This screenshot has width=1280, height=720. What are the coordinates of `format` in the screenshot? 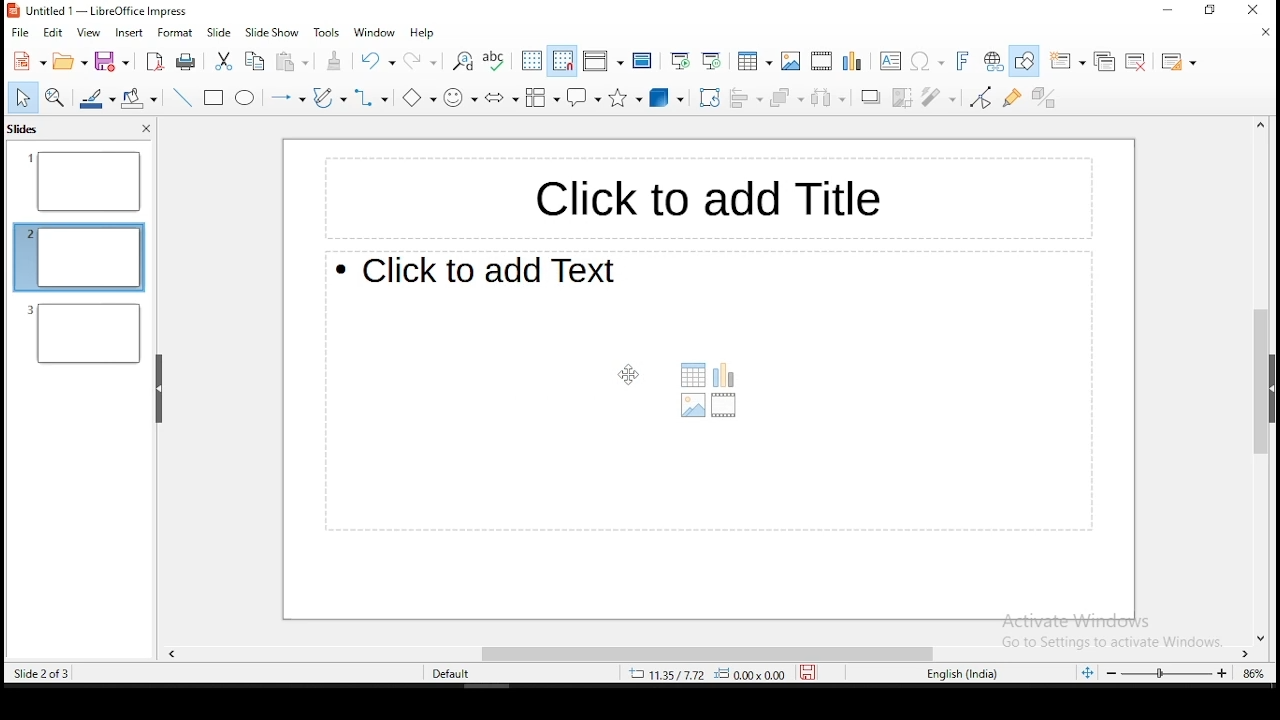 It's located at (176, 32).